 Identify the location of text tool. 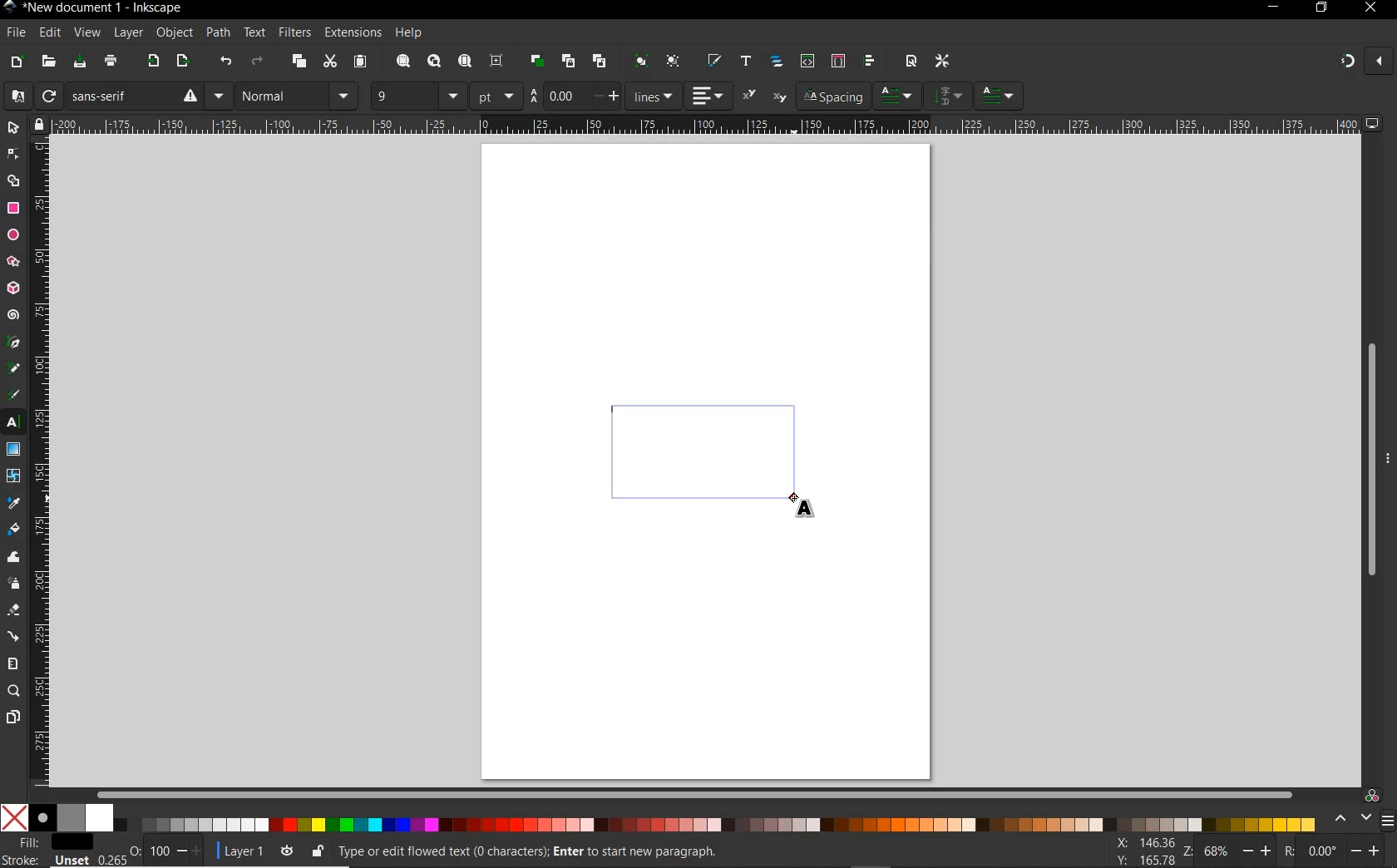
(13, 423).